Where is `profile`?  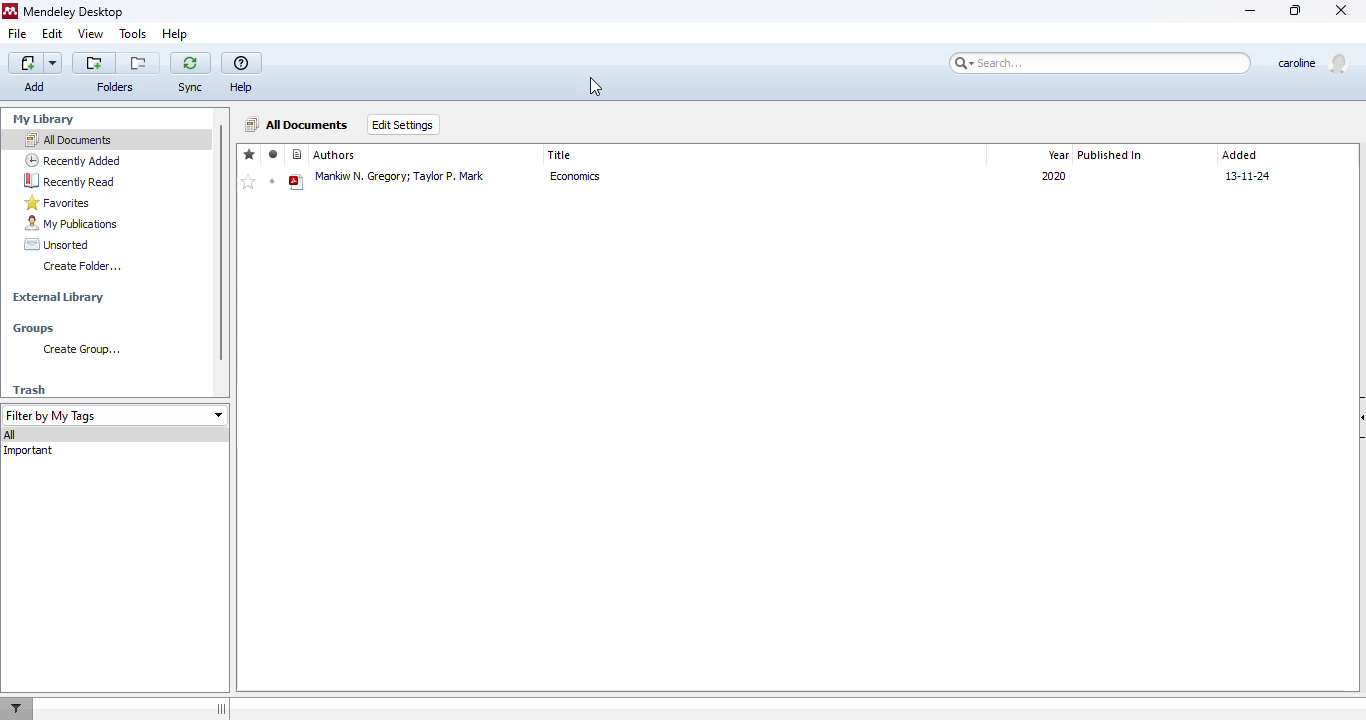 profile is located at coordinates (1311, 63).